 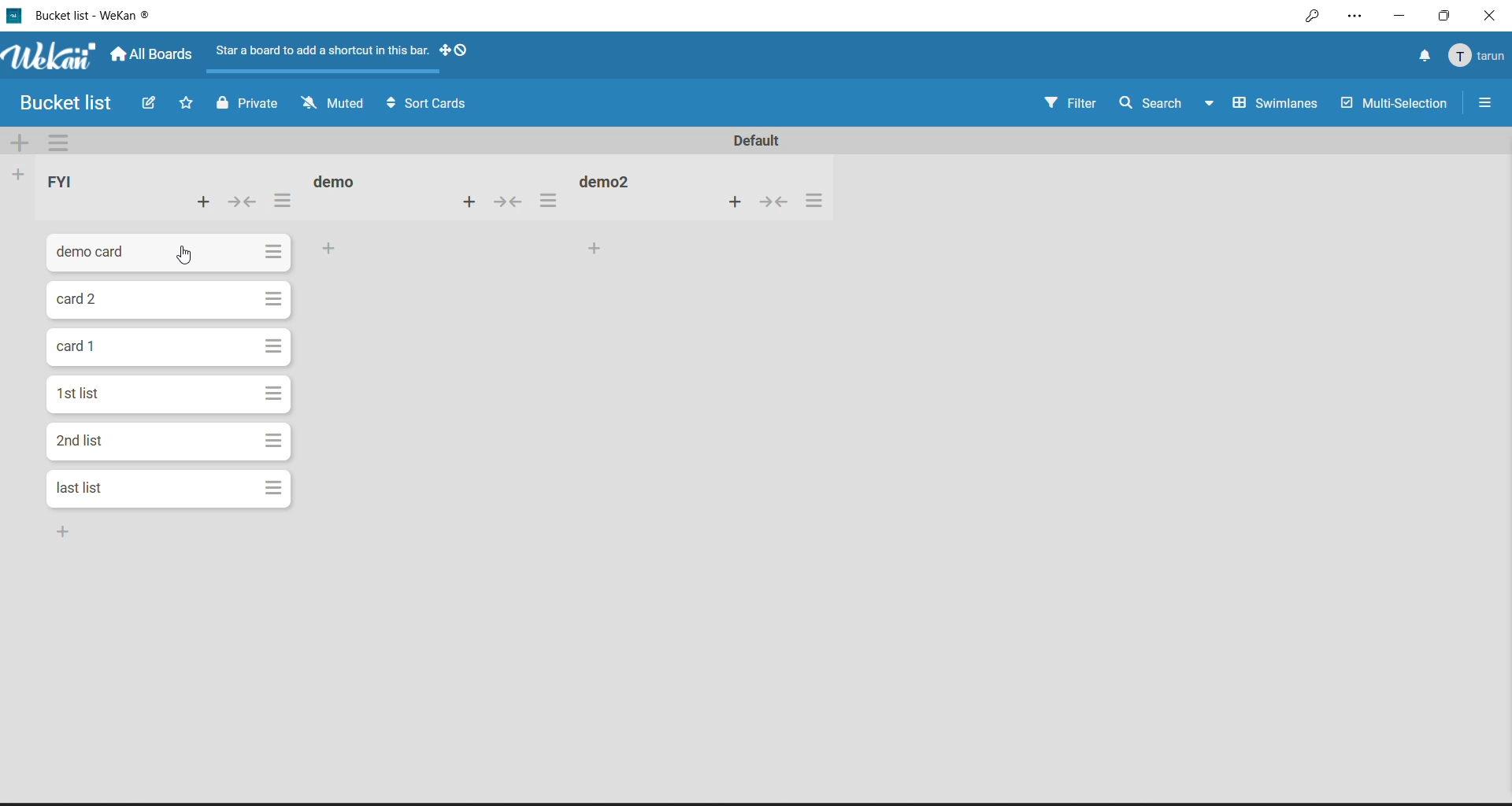 What do you see at coordinates (200, 202) in the screenshot?
I see `add card to top` at bounding box center [200, 202].